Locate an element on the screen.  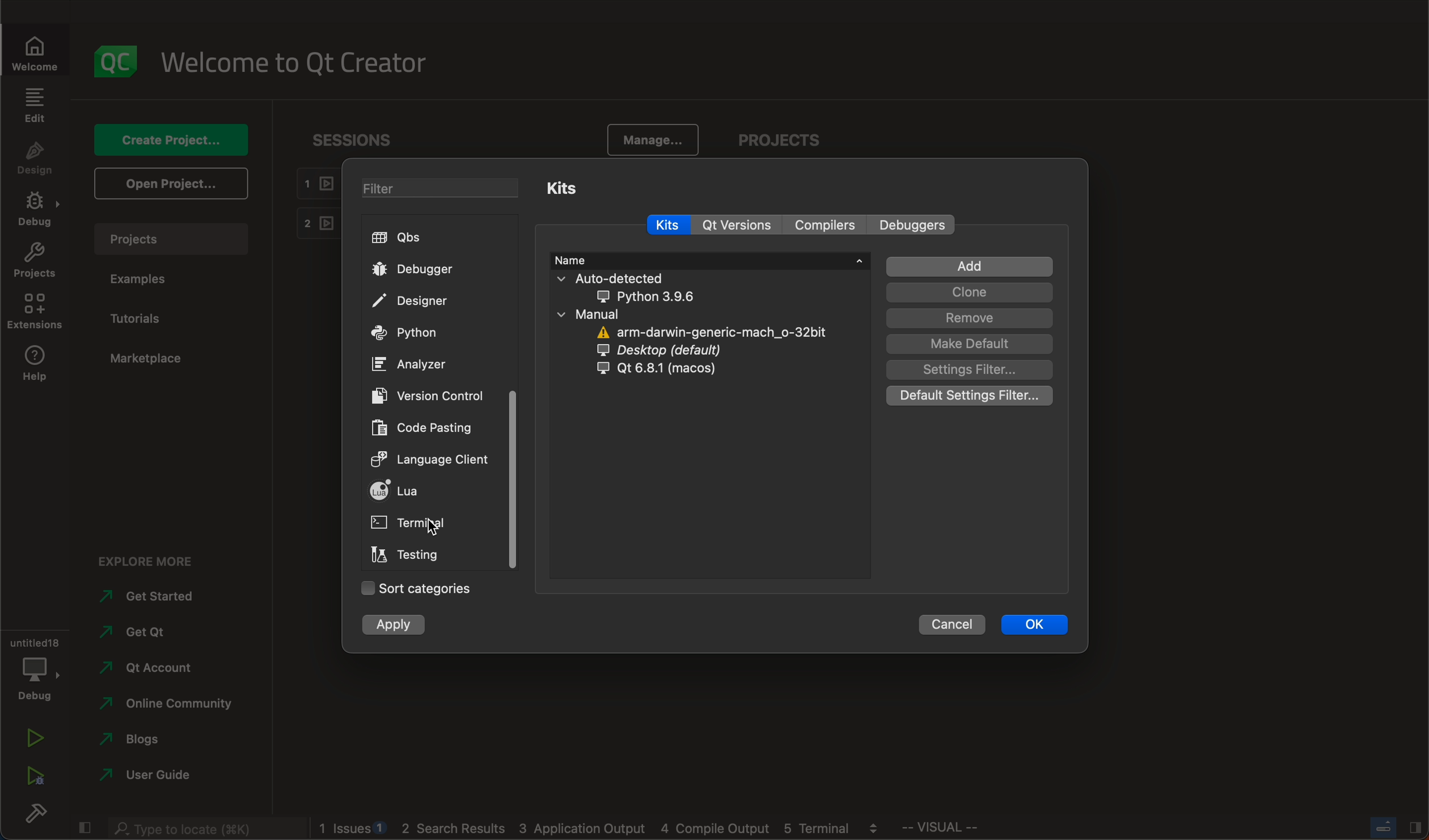
projects is located at coordinates (175, 236).